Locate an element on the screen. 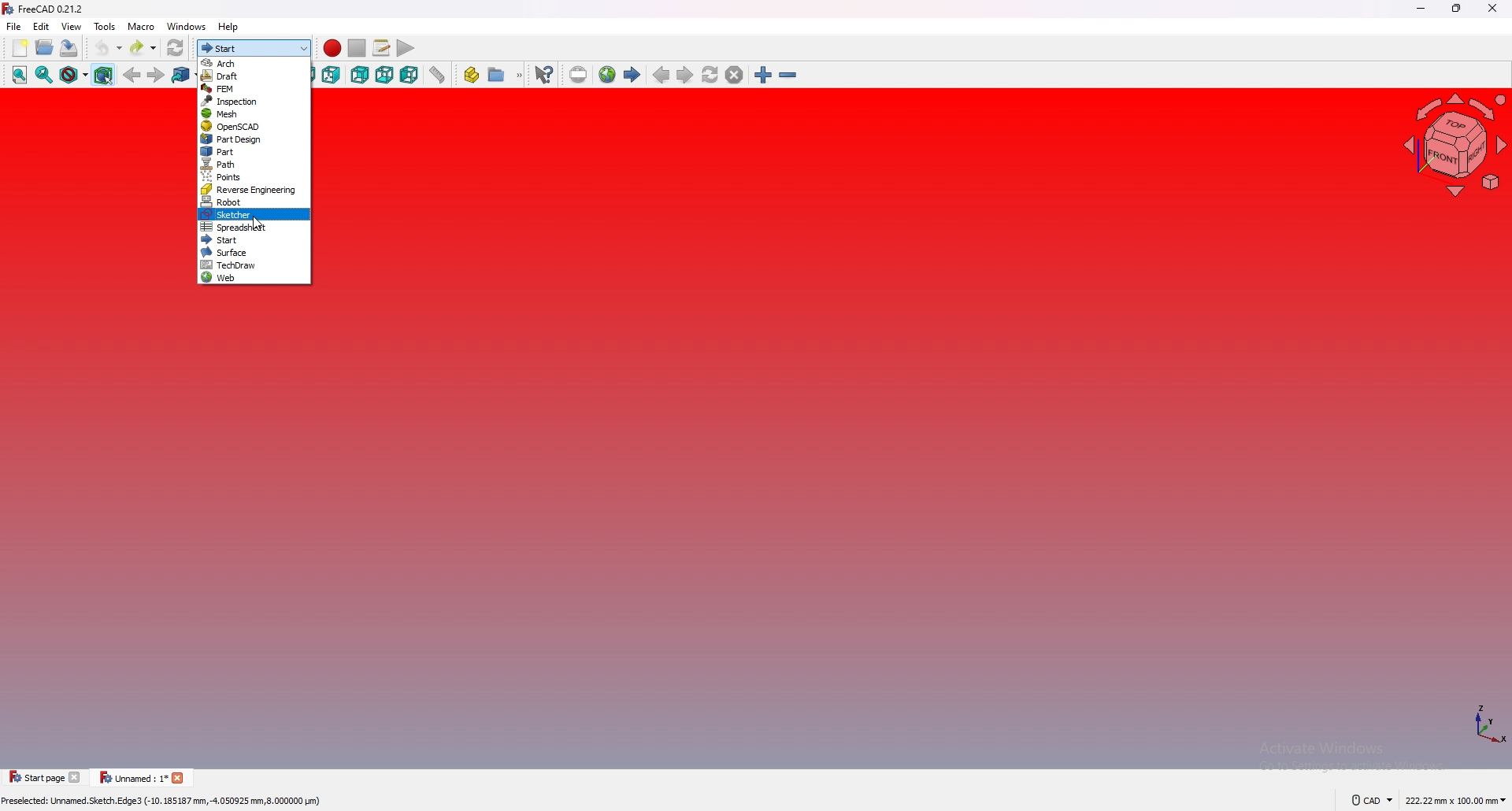 Image resolution: width=1512 pixels, height=811 pixels. tab 2 is located at coordinates (143, 779).